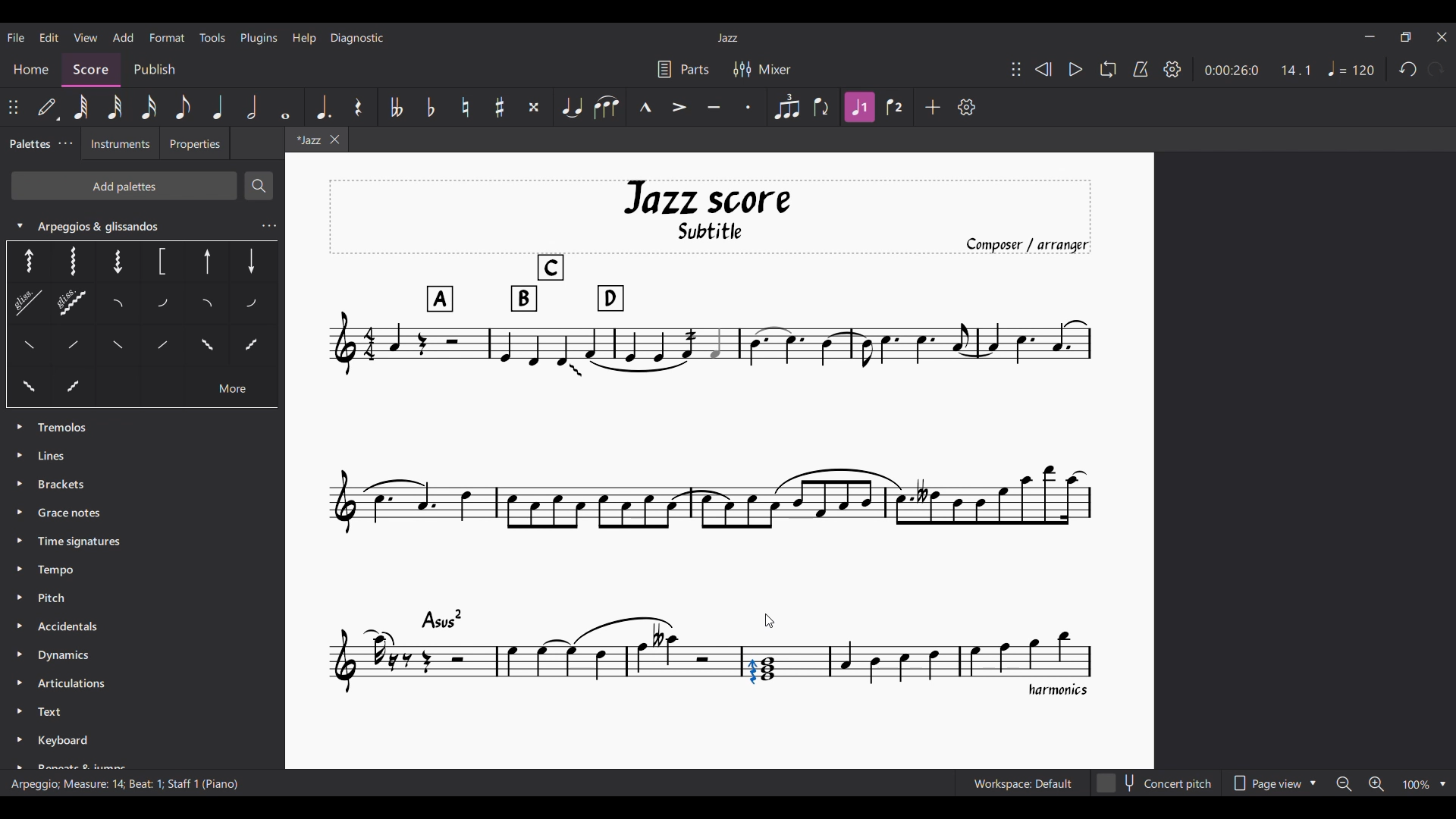  Describe the element at coordinates (304, 140) in the screenshot. I see `Current tab` at that location.